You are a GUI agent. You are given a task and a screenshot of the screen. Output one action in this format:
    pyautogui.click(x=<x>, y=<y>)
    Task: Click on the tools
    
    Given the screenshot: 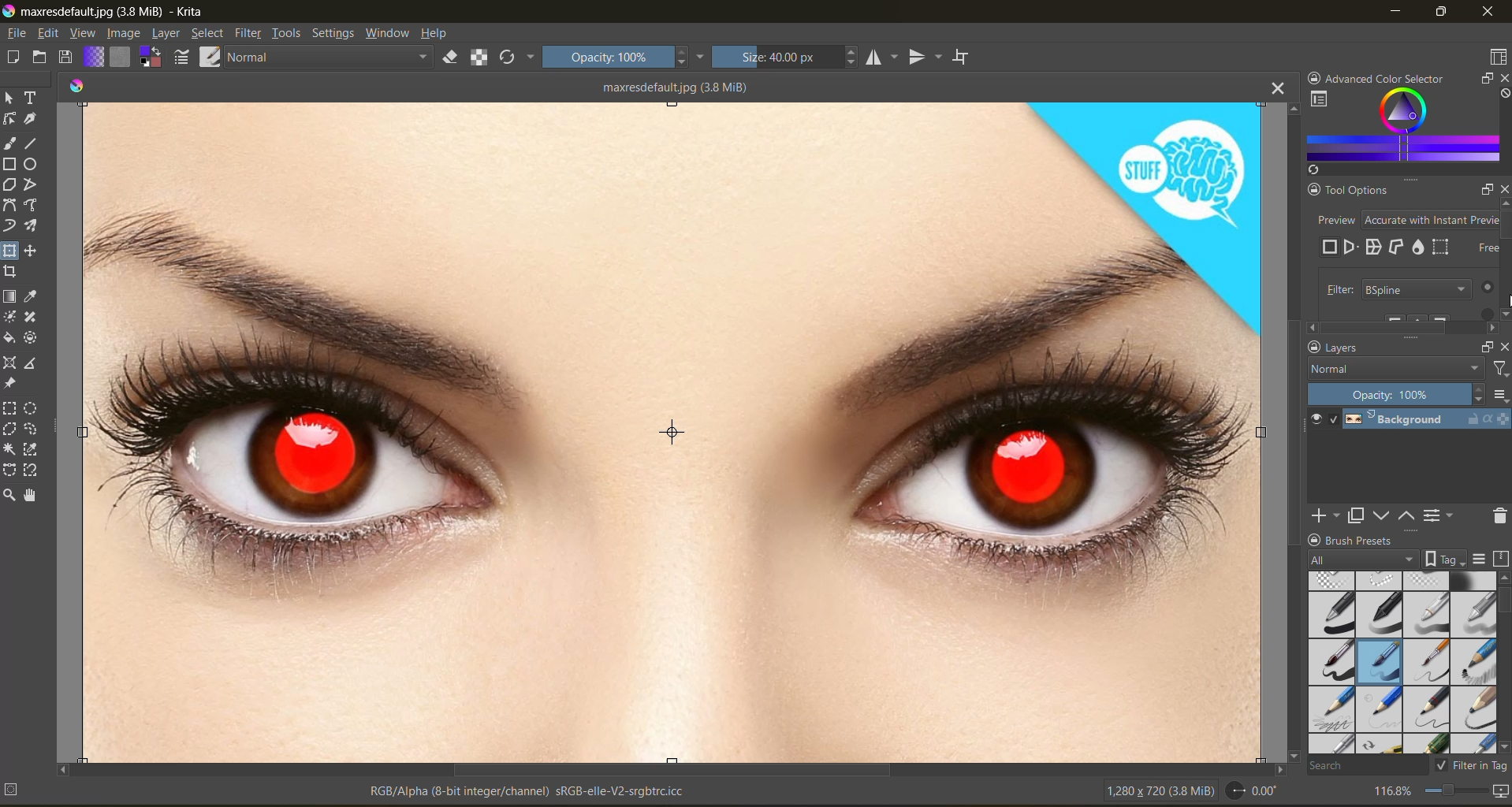 What is the action you would take?
    pyautogui.click(x=289, y=33)
    